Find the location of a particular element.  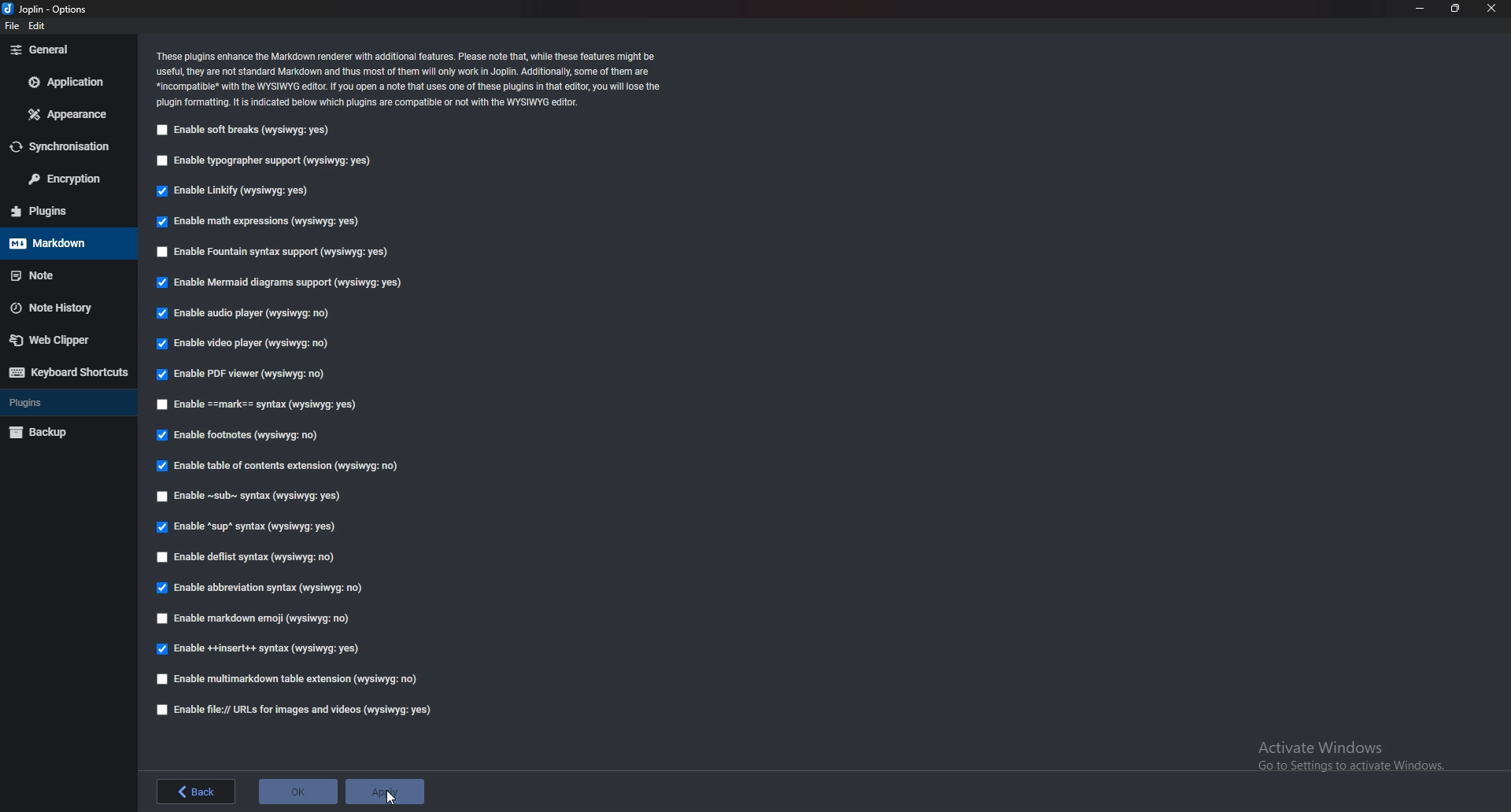

Plugins is located at coordinates (63, 212).